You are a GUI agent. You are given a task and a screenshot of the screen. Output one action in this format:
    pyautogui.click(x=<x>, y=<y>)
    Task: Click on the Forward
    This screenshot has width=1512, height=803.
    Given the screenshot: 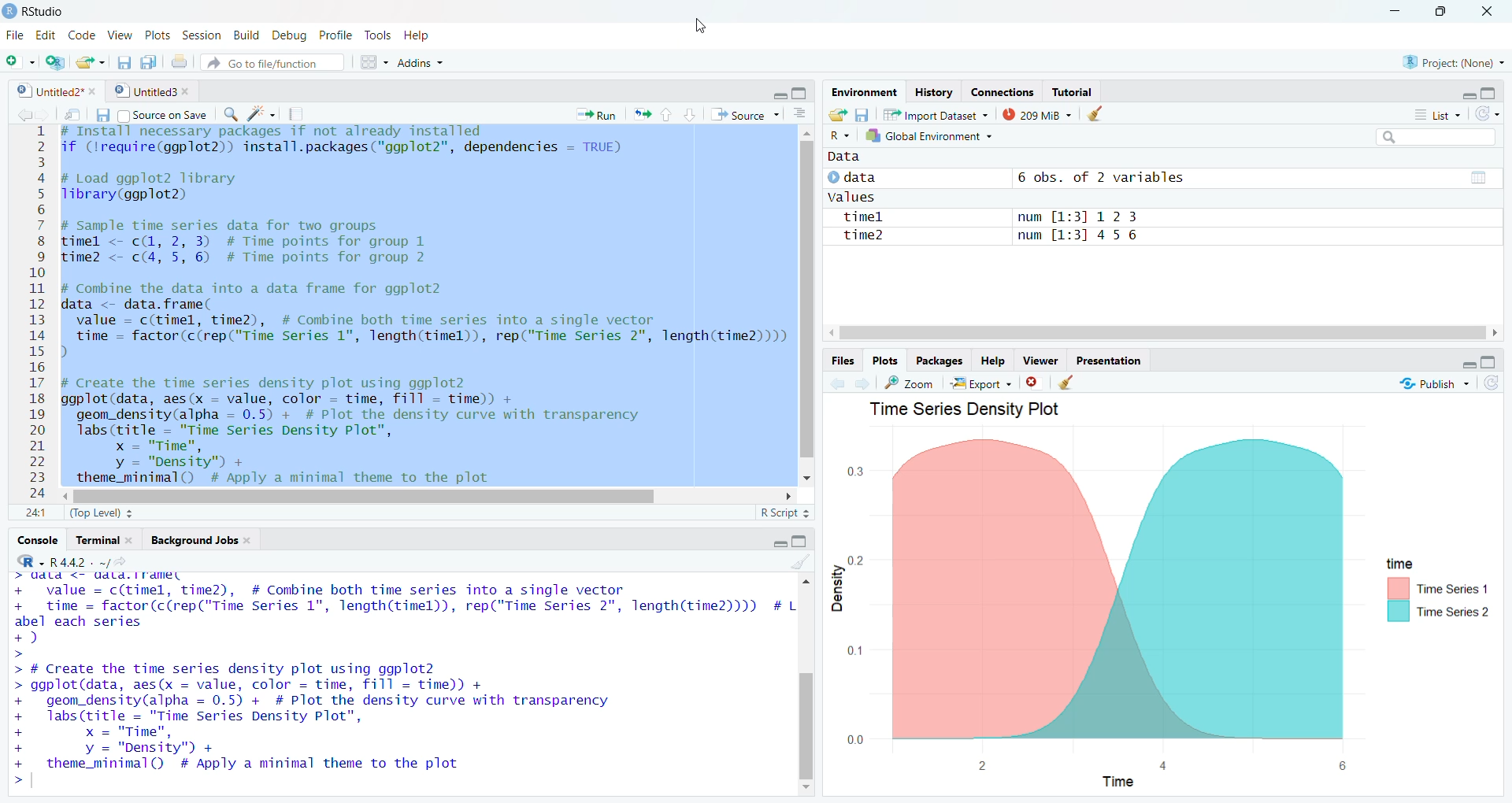 What is the action you would take?
    pyautogui.click(x=42, y=115)
    